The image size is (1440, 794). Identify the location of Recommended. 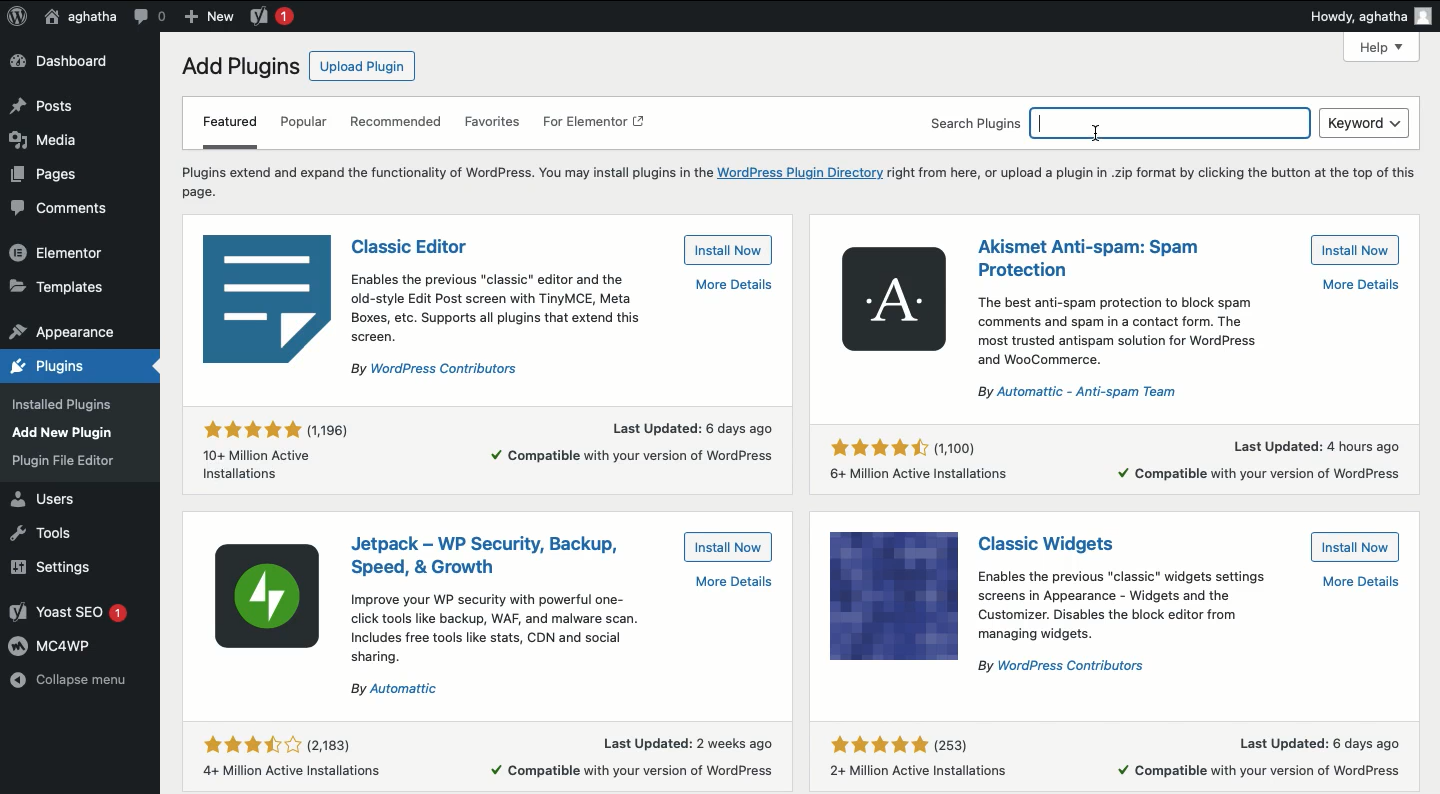
(399, 124).